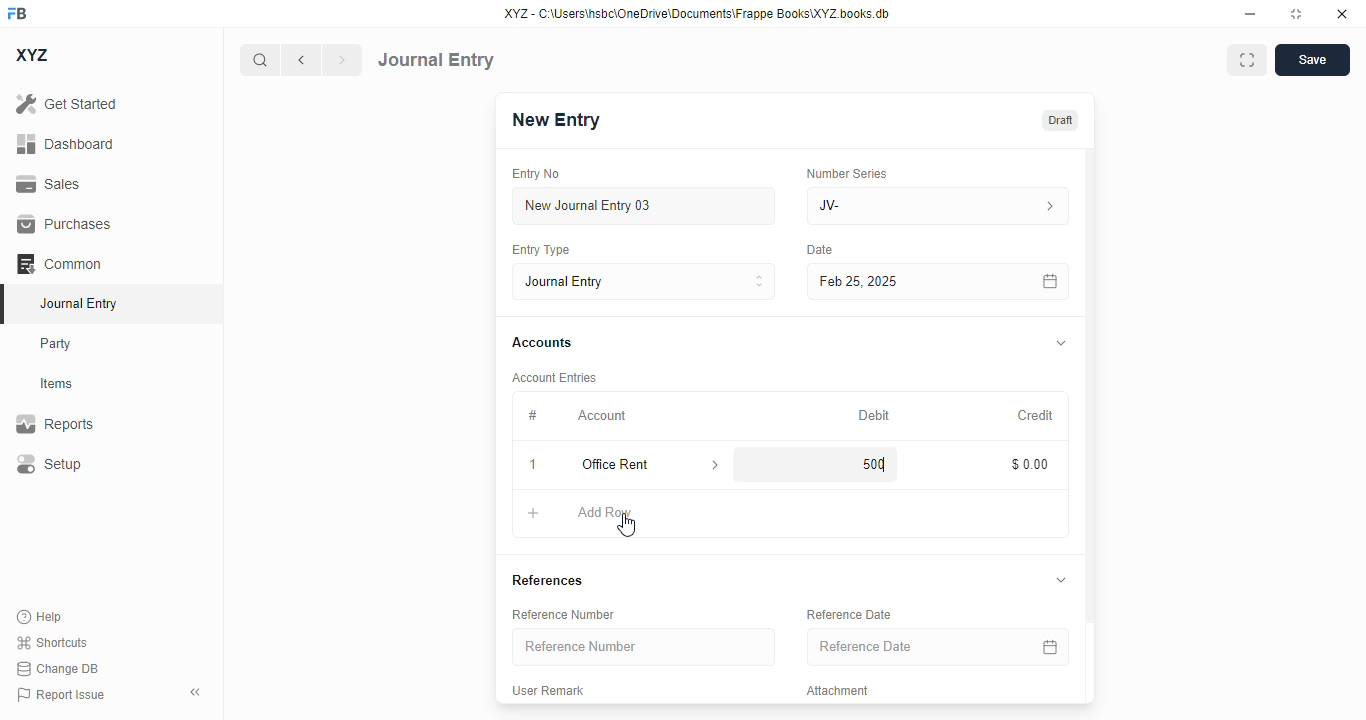 This screenshot has width=1366, height=720. Describe the element at coordinates (55, 423) in the screenshot. I see `reports` at that location.